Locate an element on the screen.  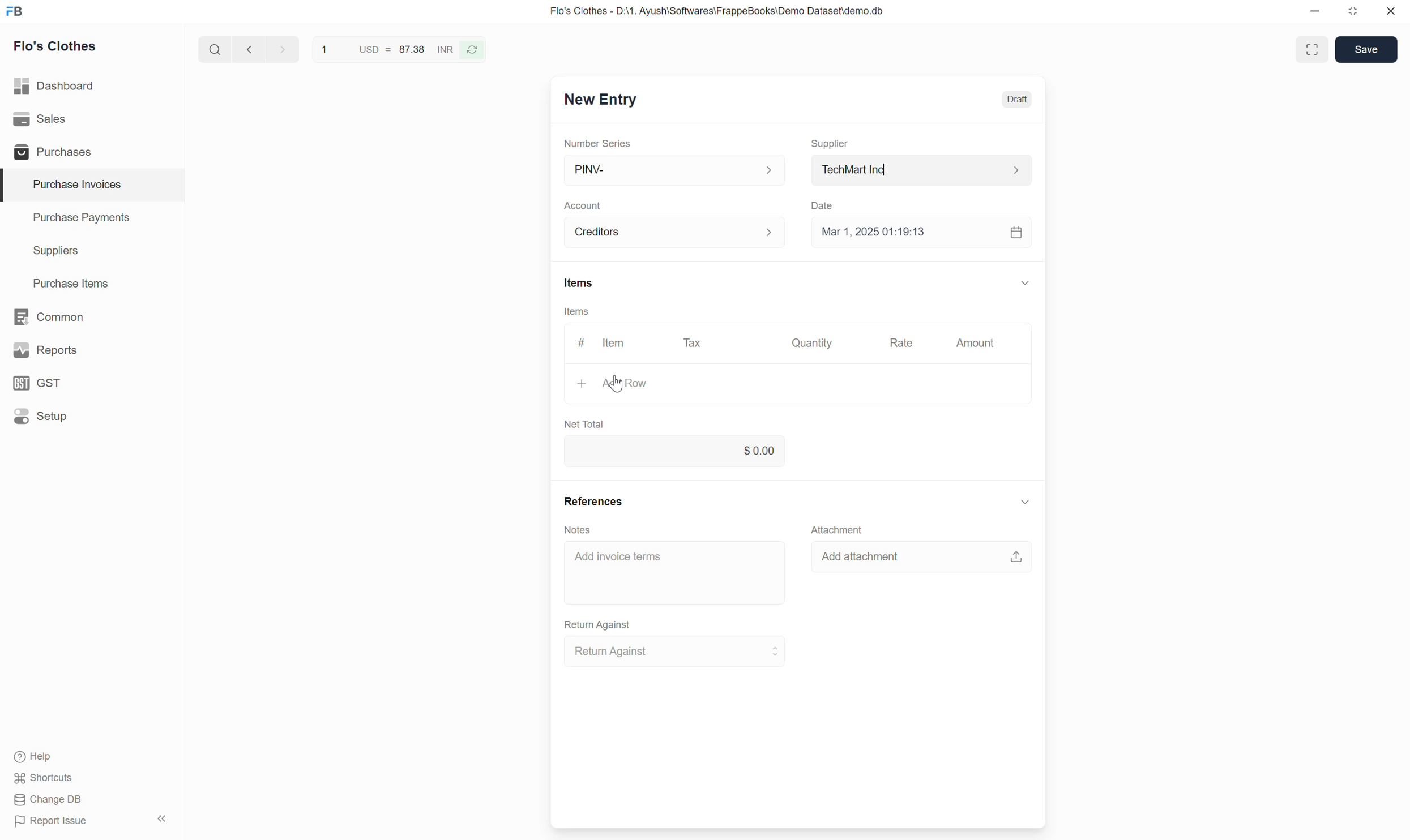
previous is located at coordinates (280, 48).